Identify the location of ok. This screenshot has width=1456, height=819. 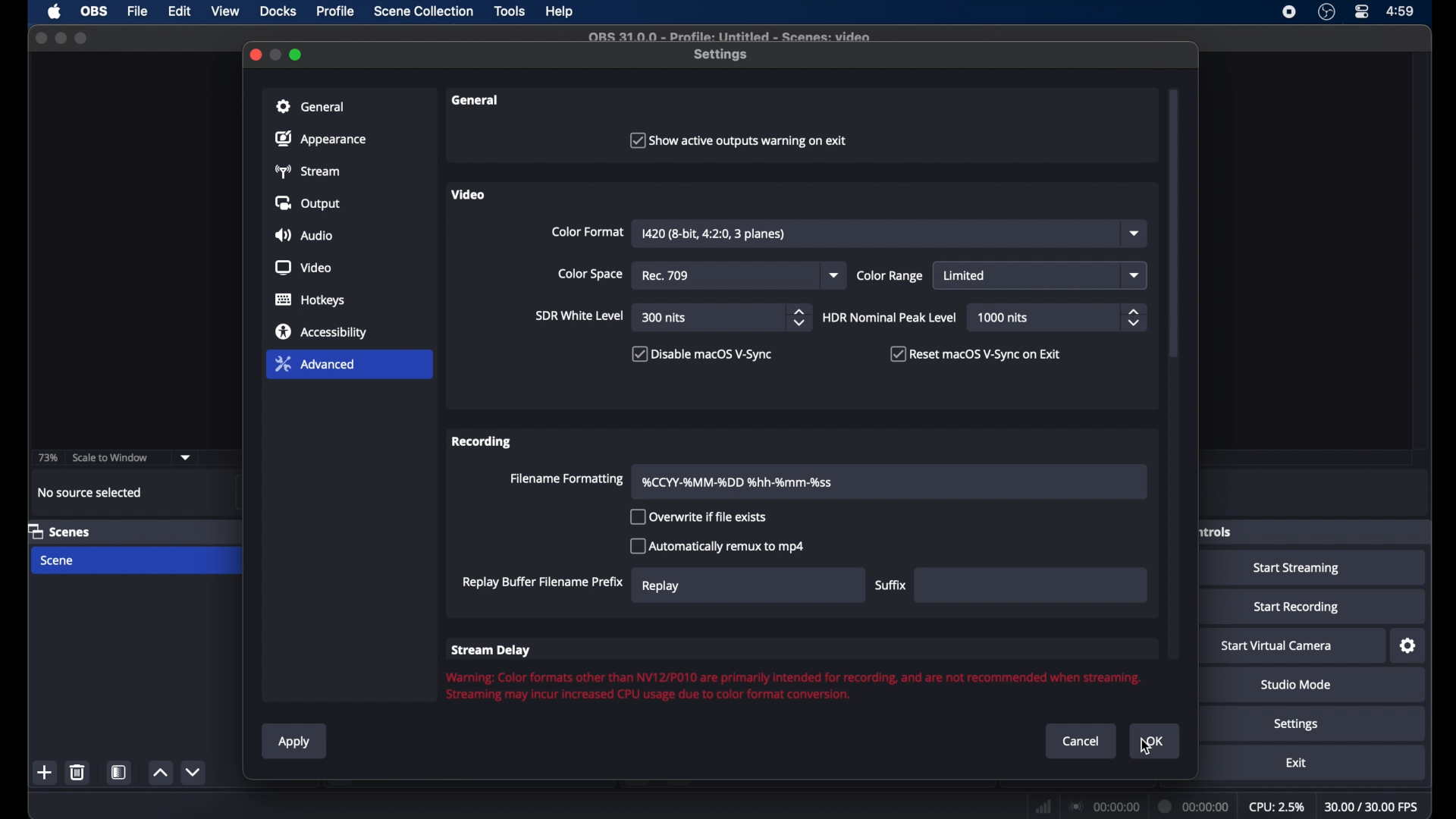
(1156, 742).